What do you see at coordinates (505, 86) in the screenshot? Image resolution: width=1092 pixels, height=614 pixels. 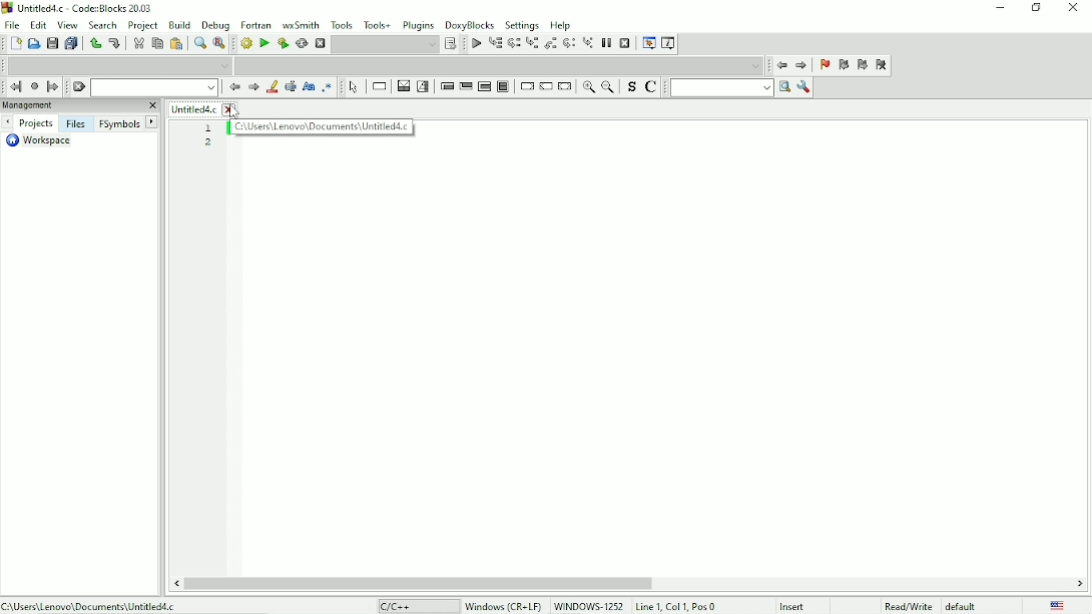 I see `Block instruction` at bounding box center [505, 86].